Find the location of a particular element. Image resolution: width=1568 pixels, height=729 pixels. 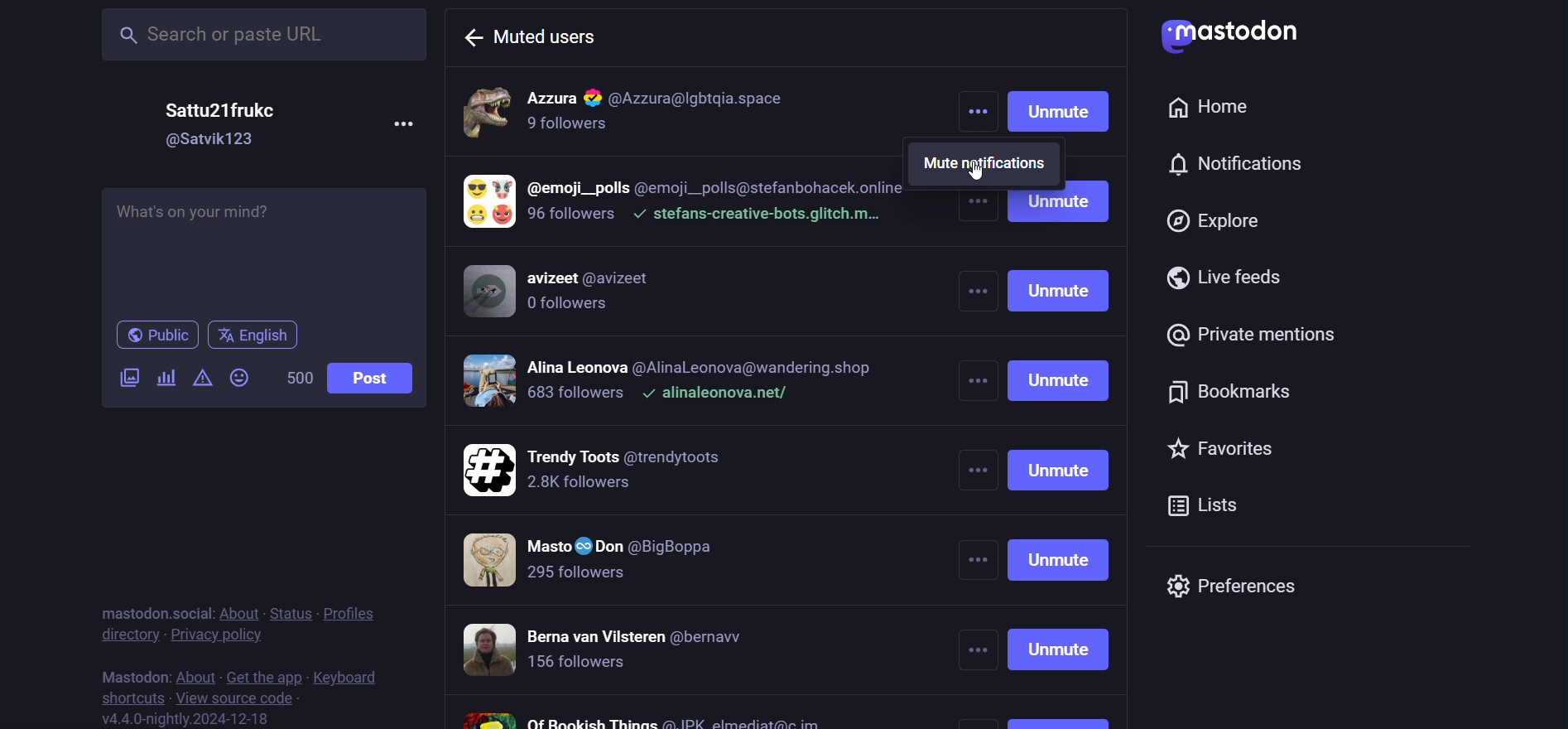

muted user is located at coordinates (551, 37).